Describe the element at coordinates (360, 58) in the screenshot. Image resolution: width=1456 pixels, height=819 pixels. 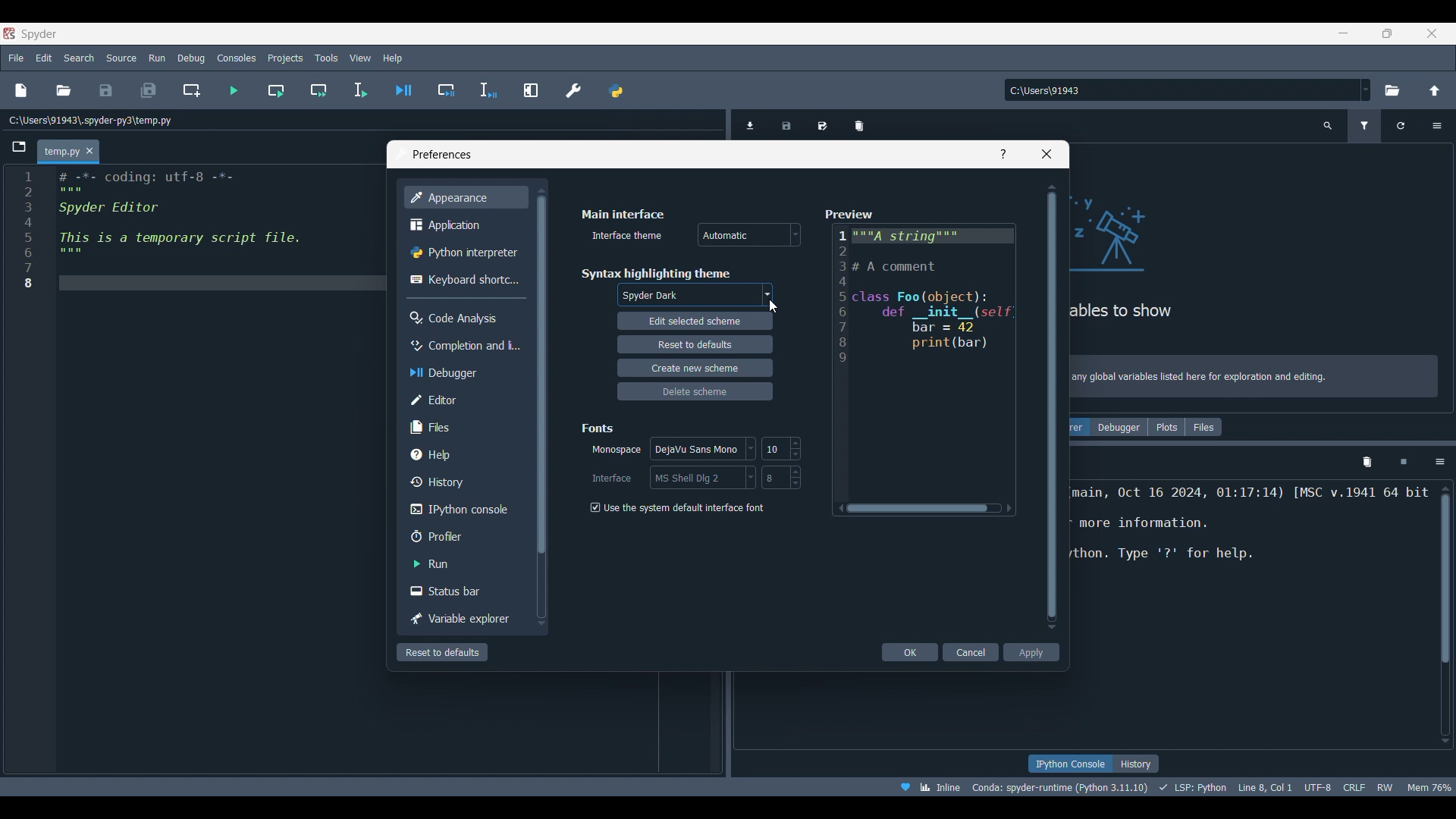
I see `View menu` at that location.